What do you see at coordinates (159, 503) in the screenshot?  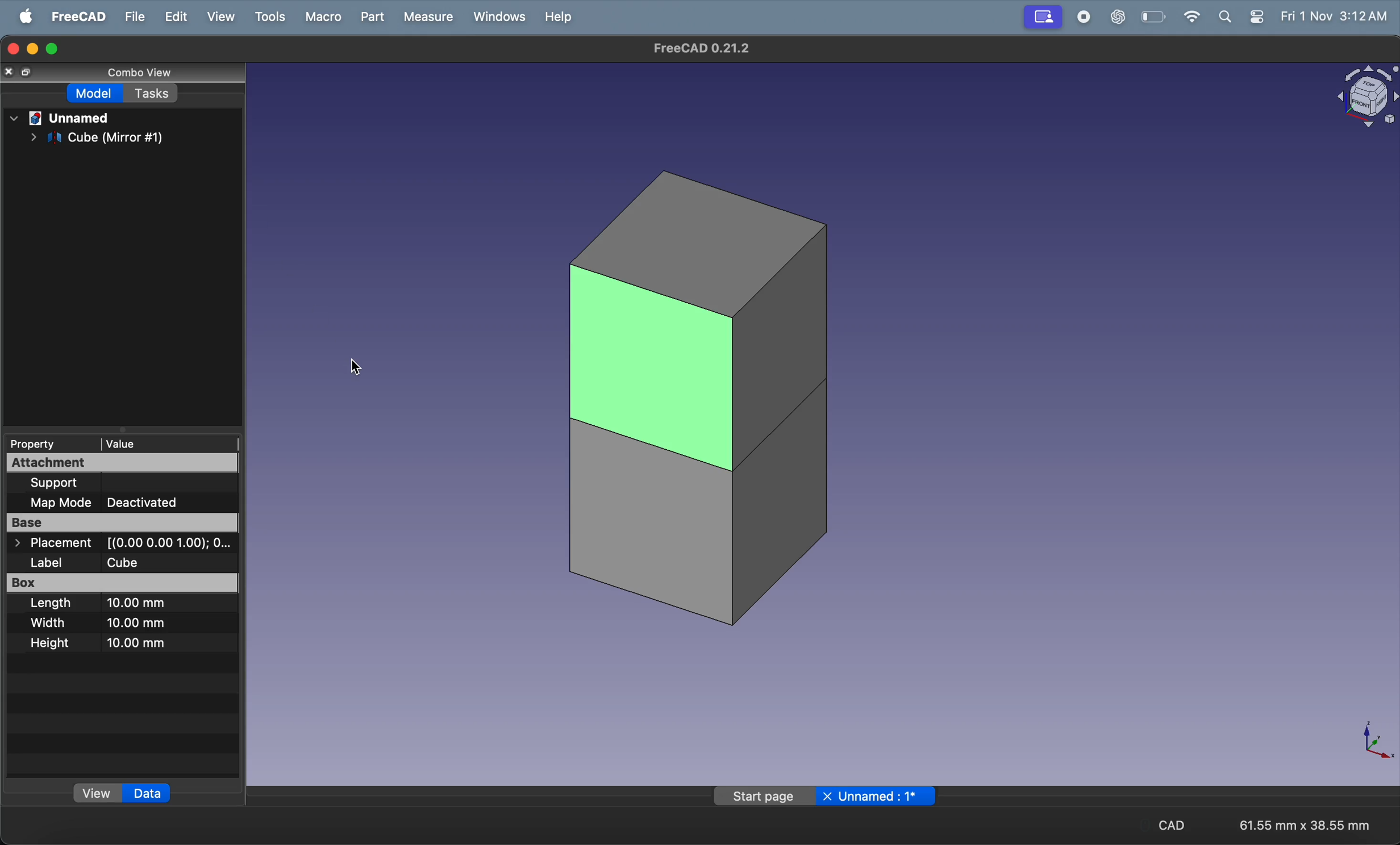 I see `Deactivated` at bounding box center [159, 503].